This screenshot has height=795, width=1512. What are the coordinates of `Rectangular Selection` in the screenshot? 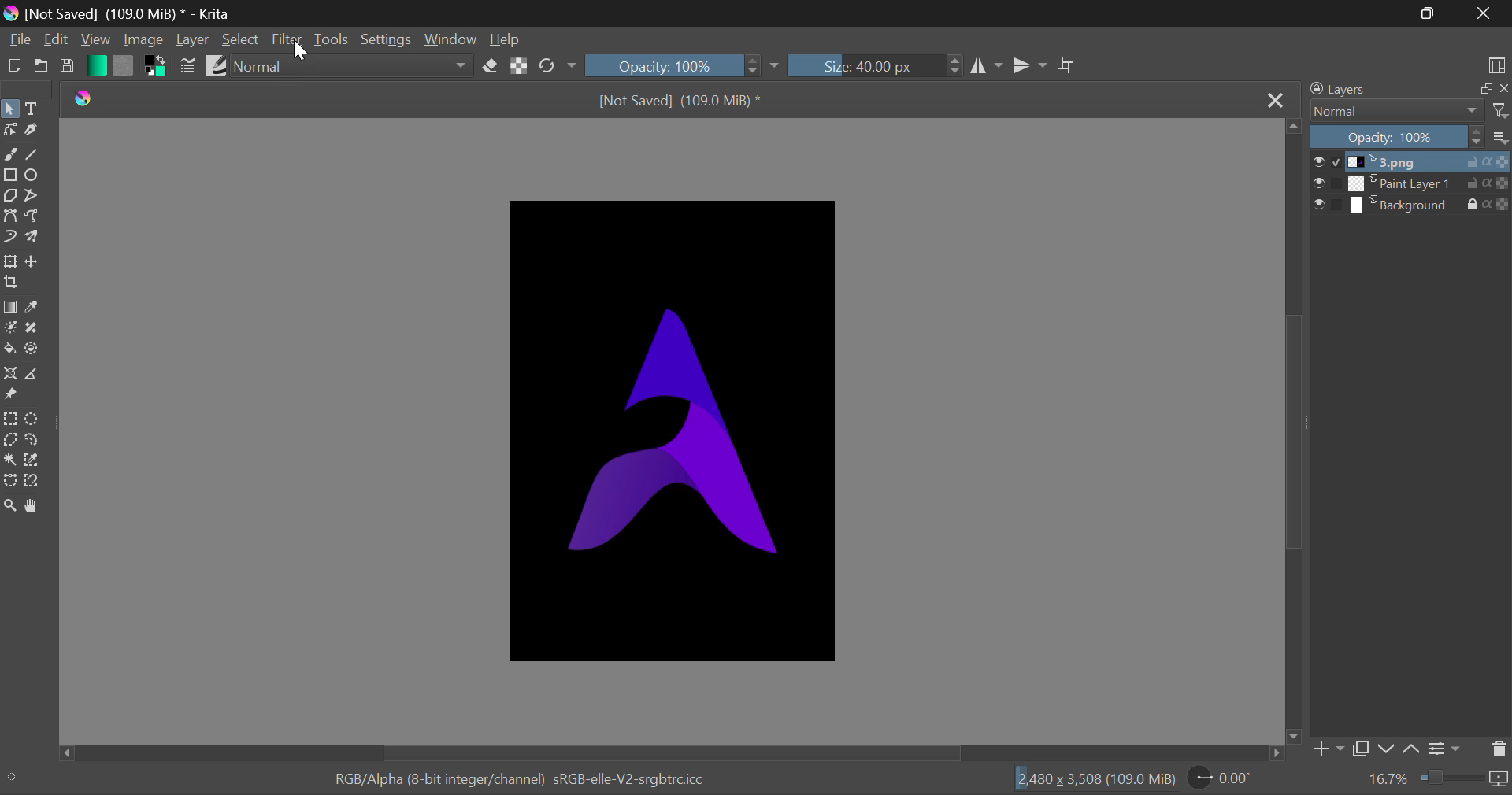 It's located at (9, 419).